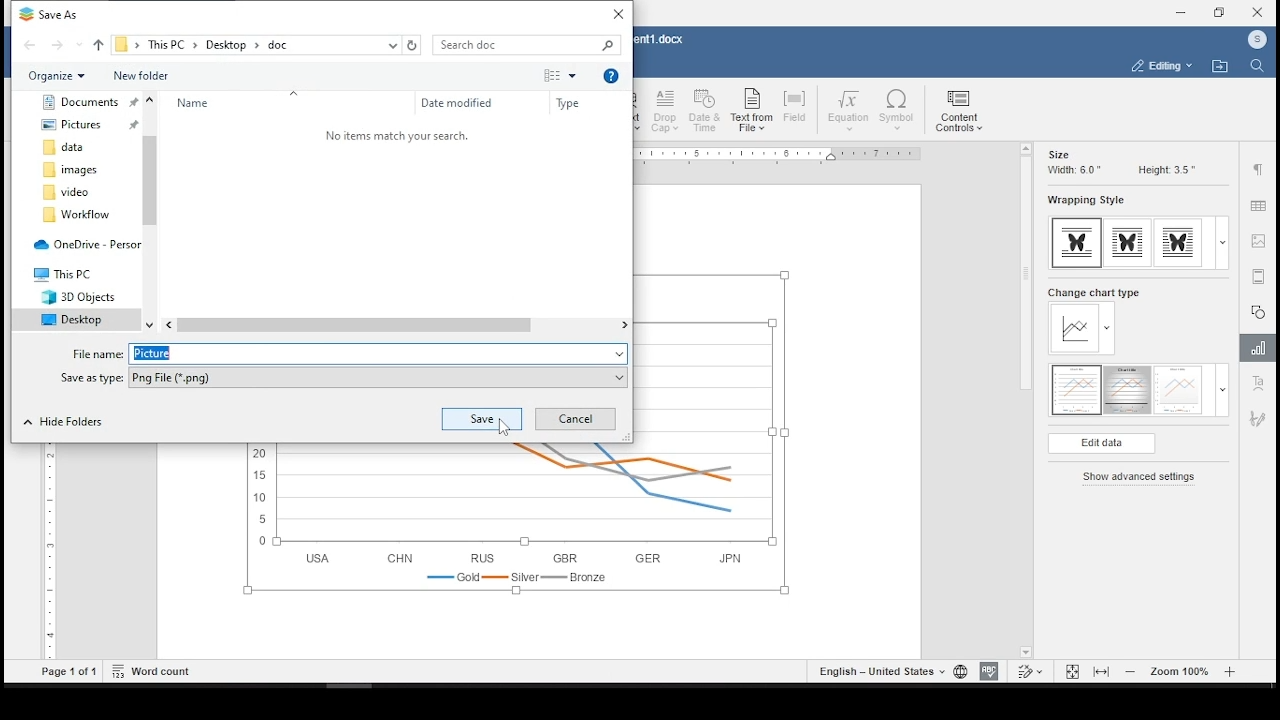 The width and height of the screenshot is (1280, 720). I want to click on file name, so click(345, 353).